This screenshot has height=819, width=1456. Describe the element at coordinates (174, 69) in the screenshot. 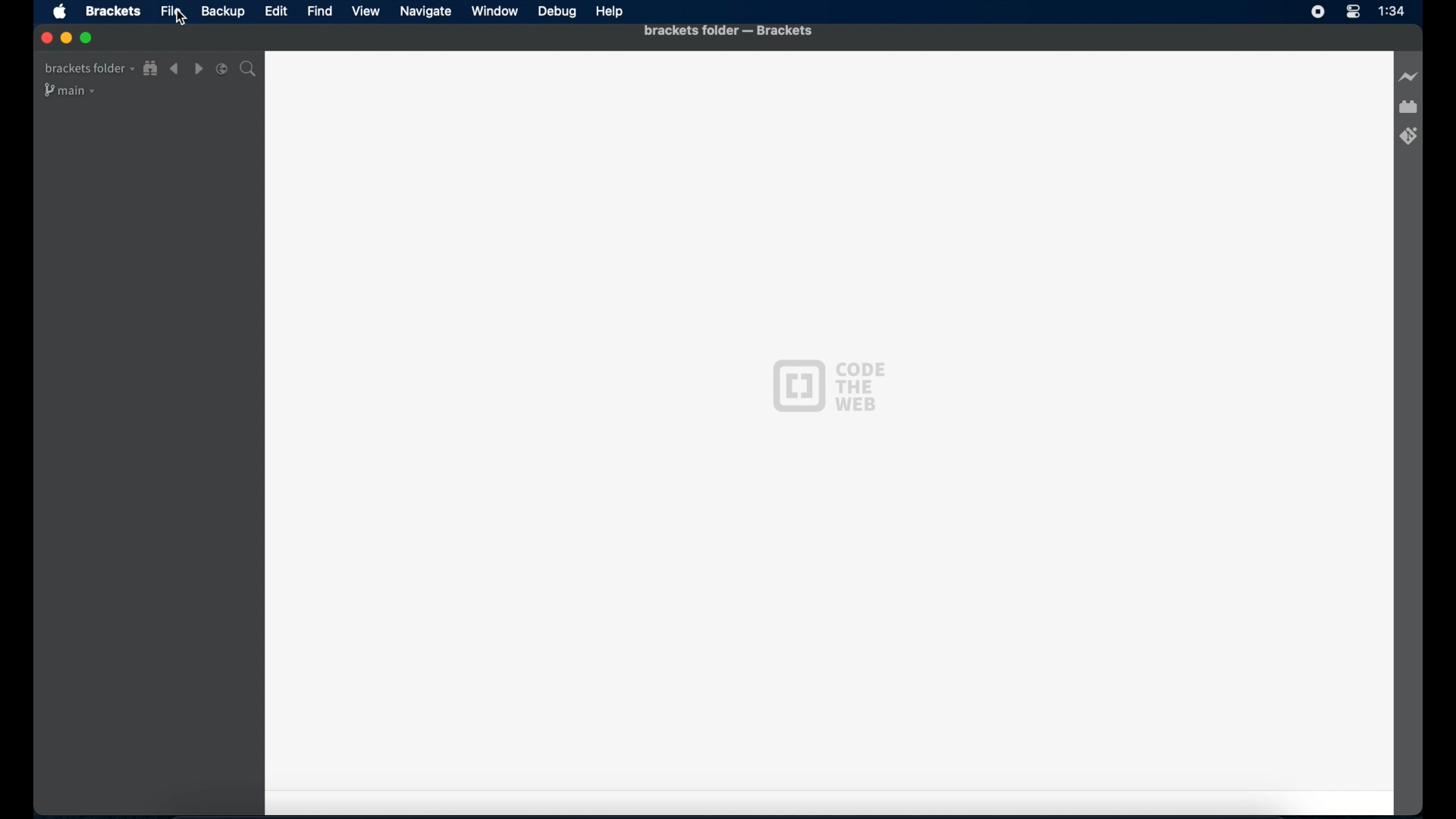

I see `Navigate backward` at that location.